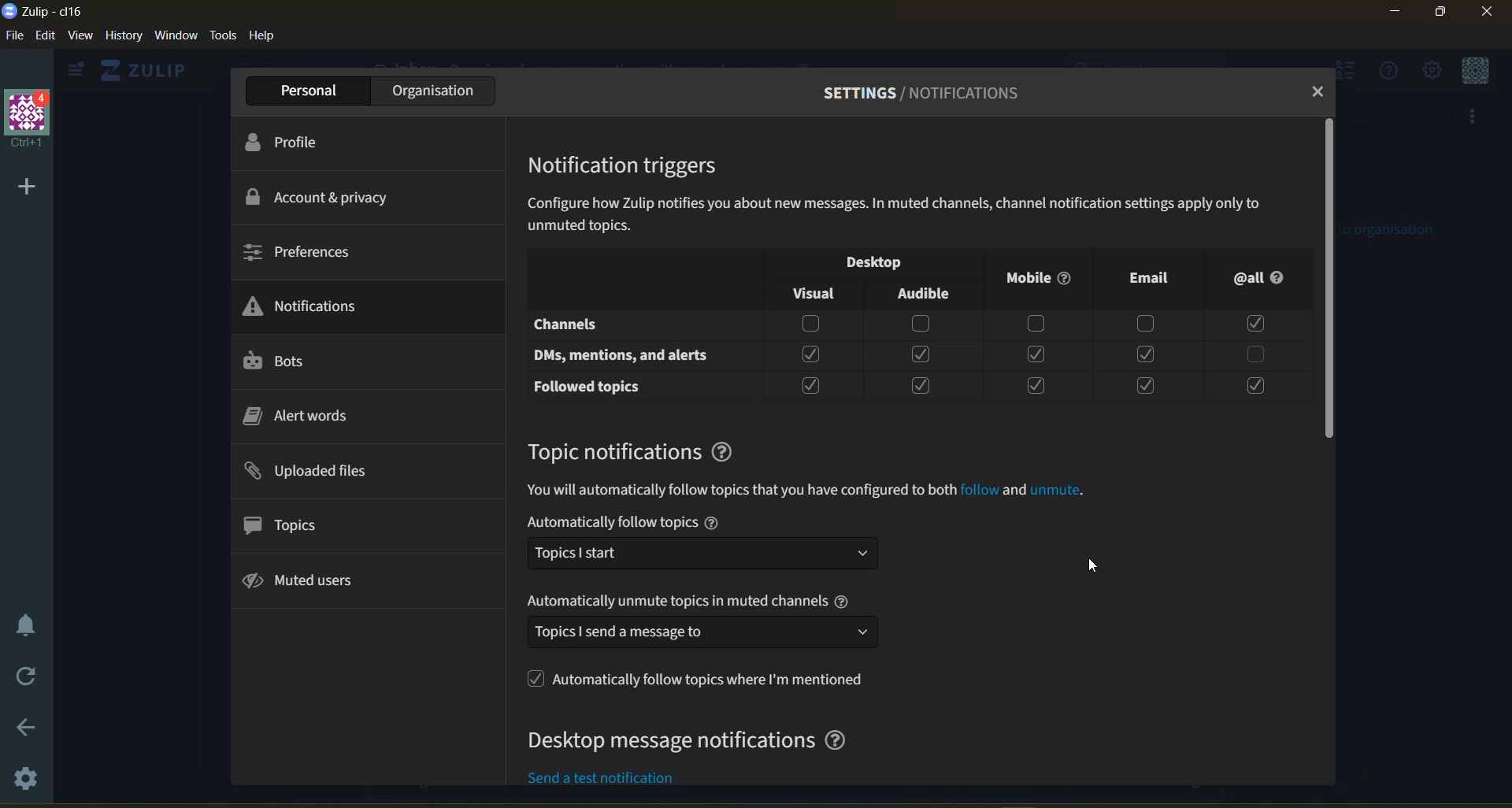 The height and width of the screenshot is (808, 1512). Describe the element at coordinates (1475, 70) in the screenshot. I see `personal menu` at that location.